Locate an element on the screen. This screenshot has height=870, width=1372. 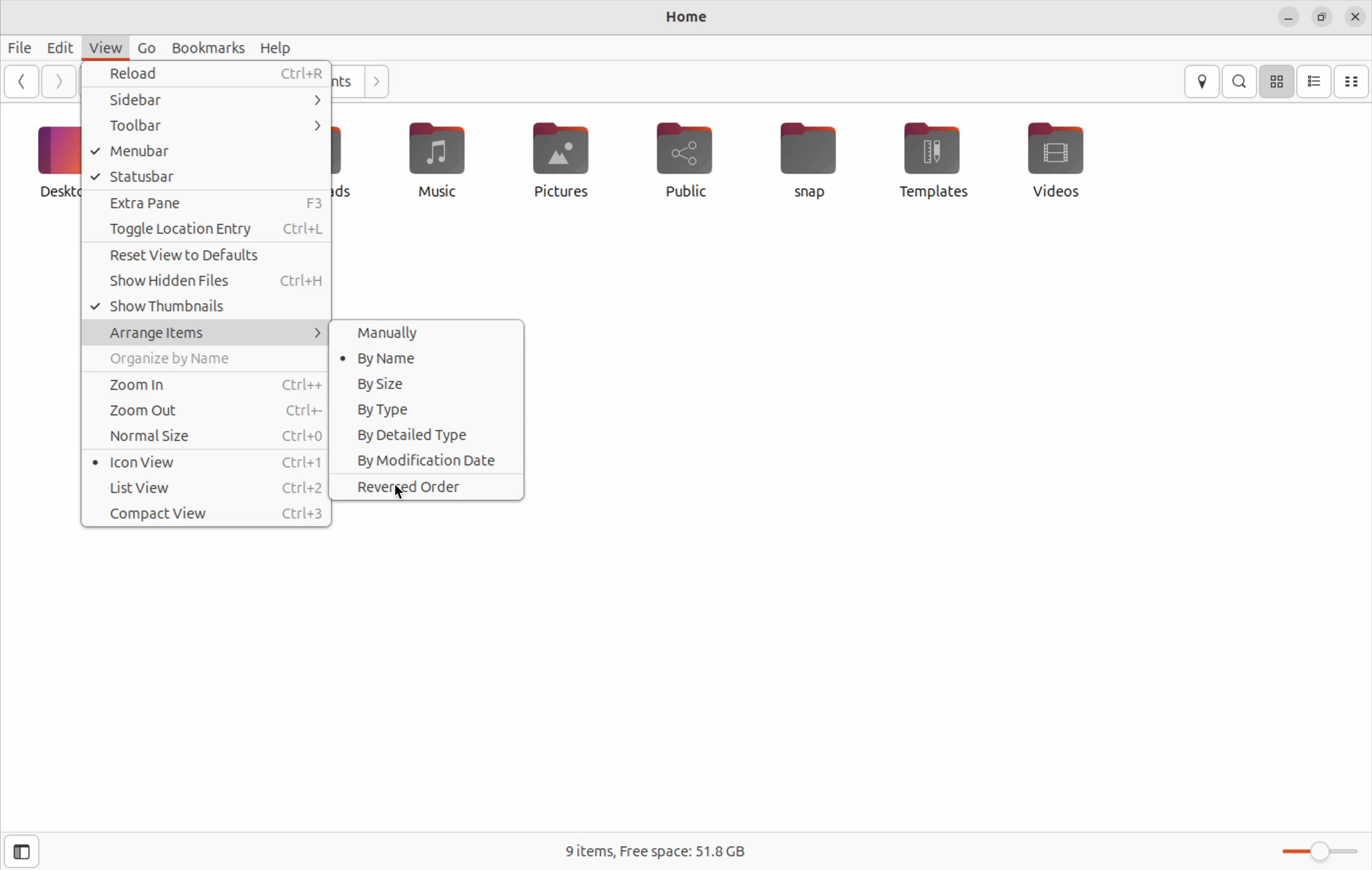
toggle location entry is located at coordinates (205, 229).